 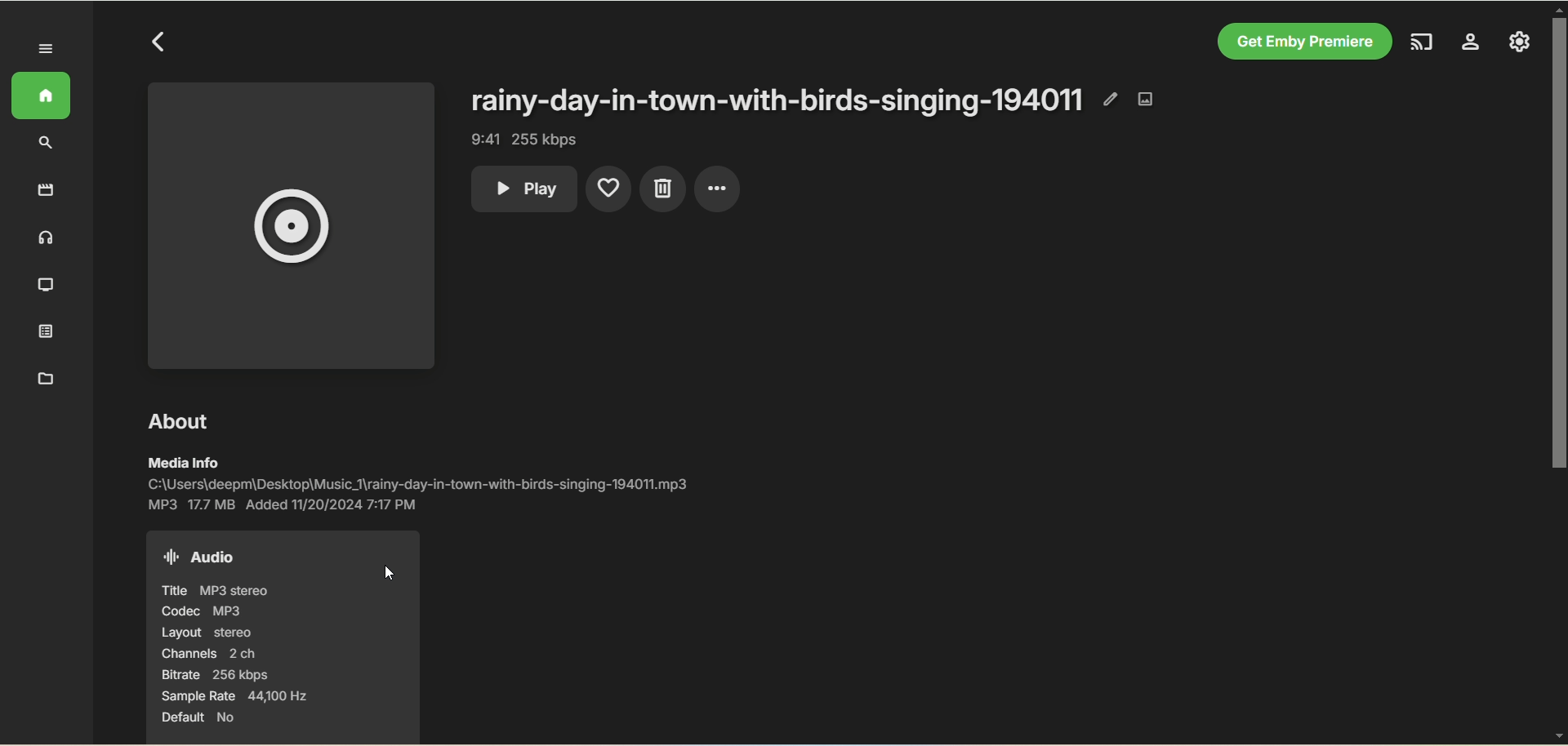 I want to click on edit image, so click(x=1147, y=100).